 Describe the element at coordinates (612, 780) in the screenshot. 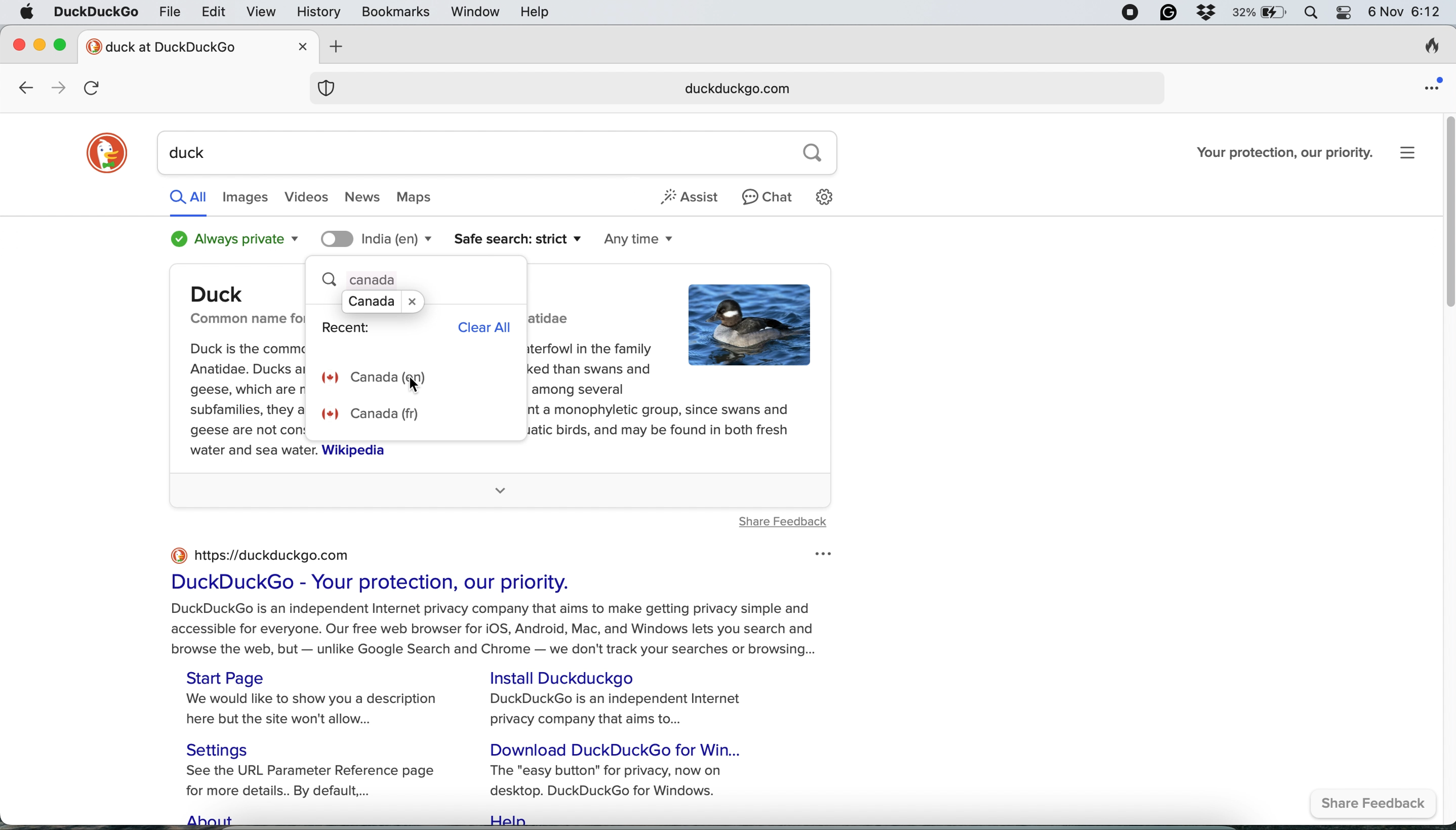

I see `The "easy button" for privacy, now on
desktop. DuckDuckGo for Windows.` at that location.